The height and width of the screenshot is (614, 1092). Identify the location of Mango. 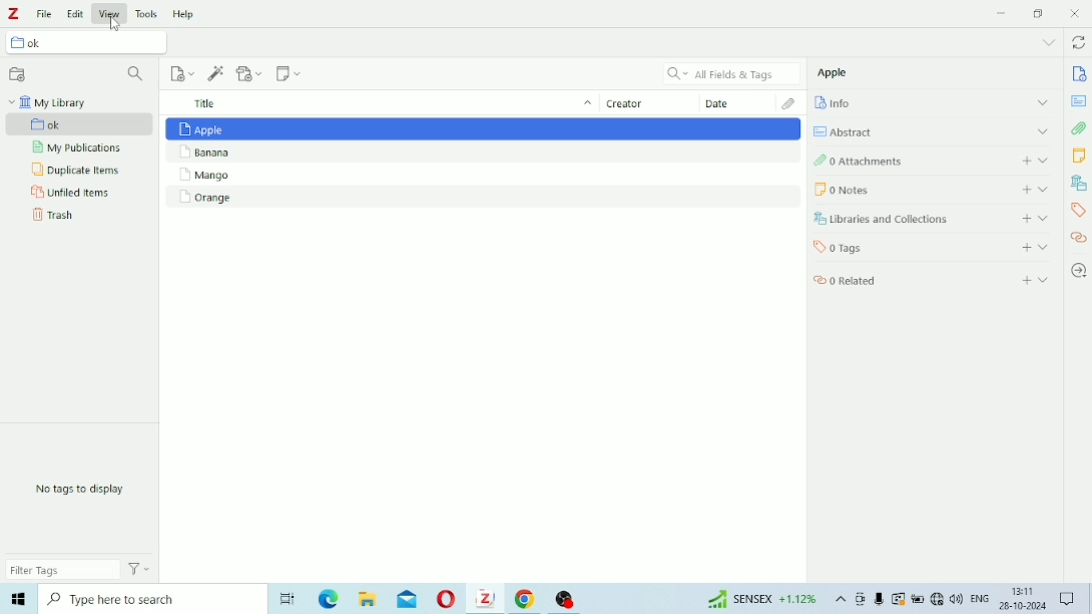
(478, 177).